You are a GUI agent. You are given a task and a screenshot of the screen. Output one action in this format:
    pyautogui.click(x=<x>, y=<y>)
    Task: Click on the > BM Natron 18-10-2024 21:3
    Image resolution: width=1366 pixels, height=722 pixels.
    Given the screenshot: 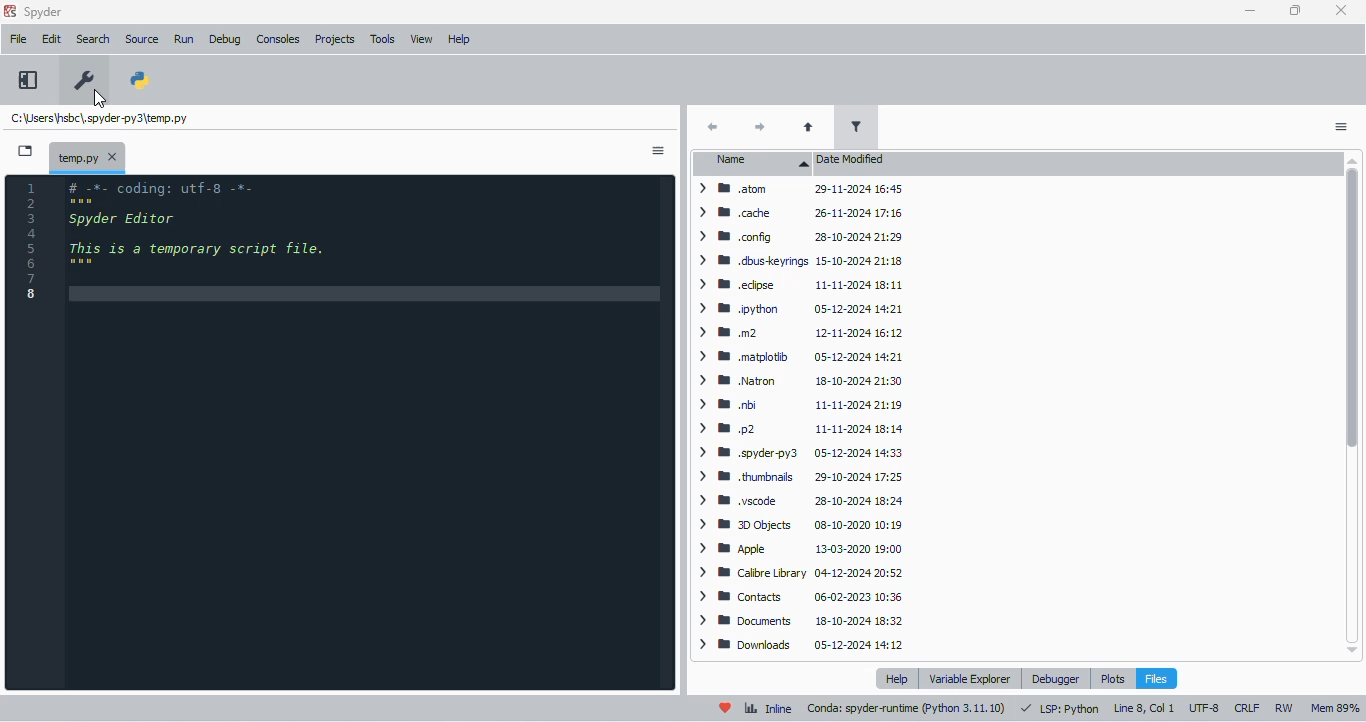 What is the action you would take?
    pyautogui.click(x=796, y=381)
    